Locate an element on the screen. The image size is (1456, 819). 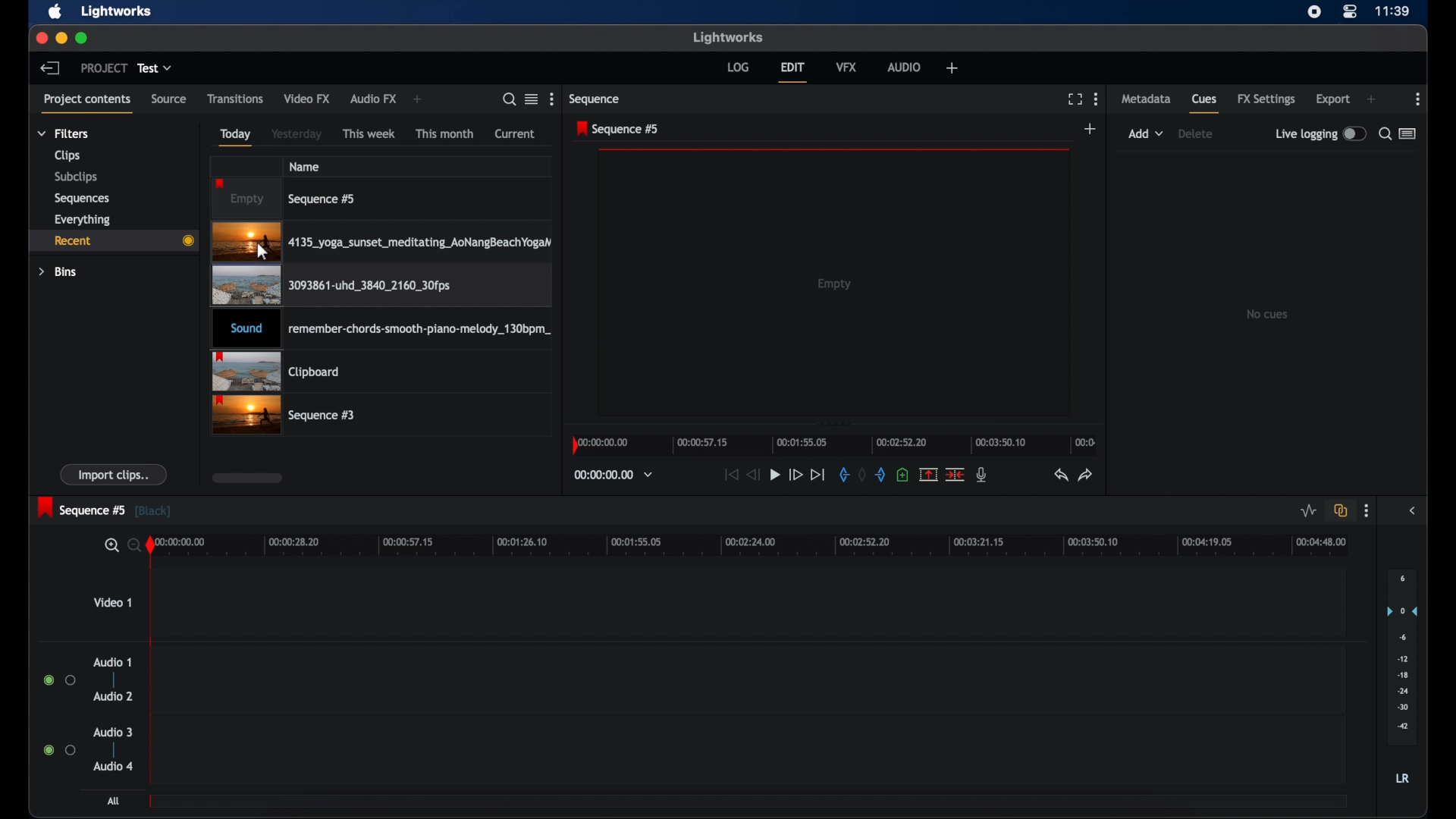
close is located at coordinates (41, 38).